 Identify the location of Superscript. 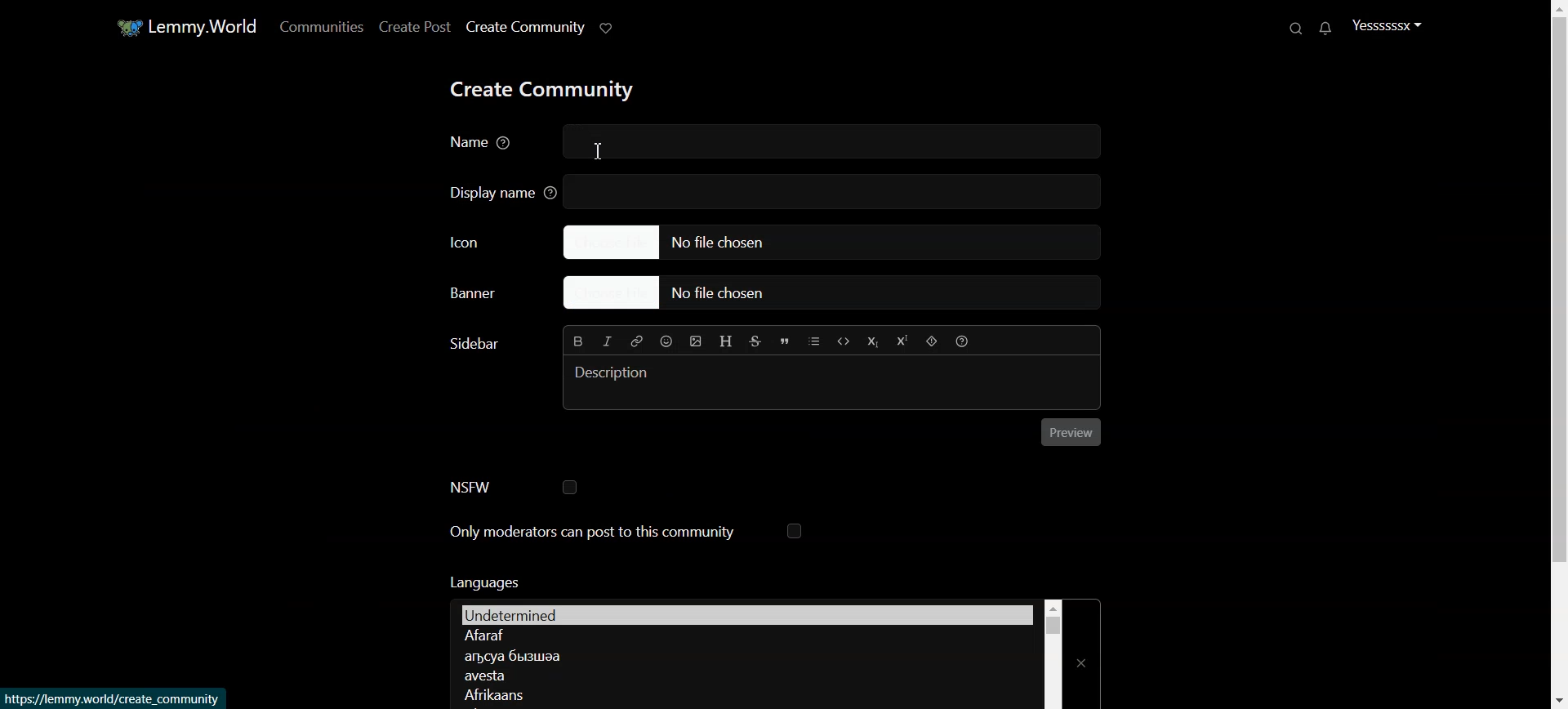
(901, 341).